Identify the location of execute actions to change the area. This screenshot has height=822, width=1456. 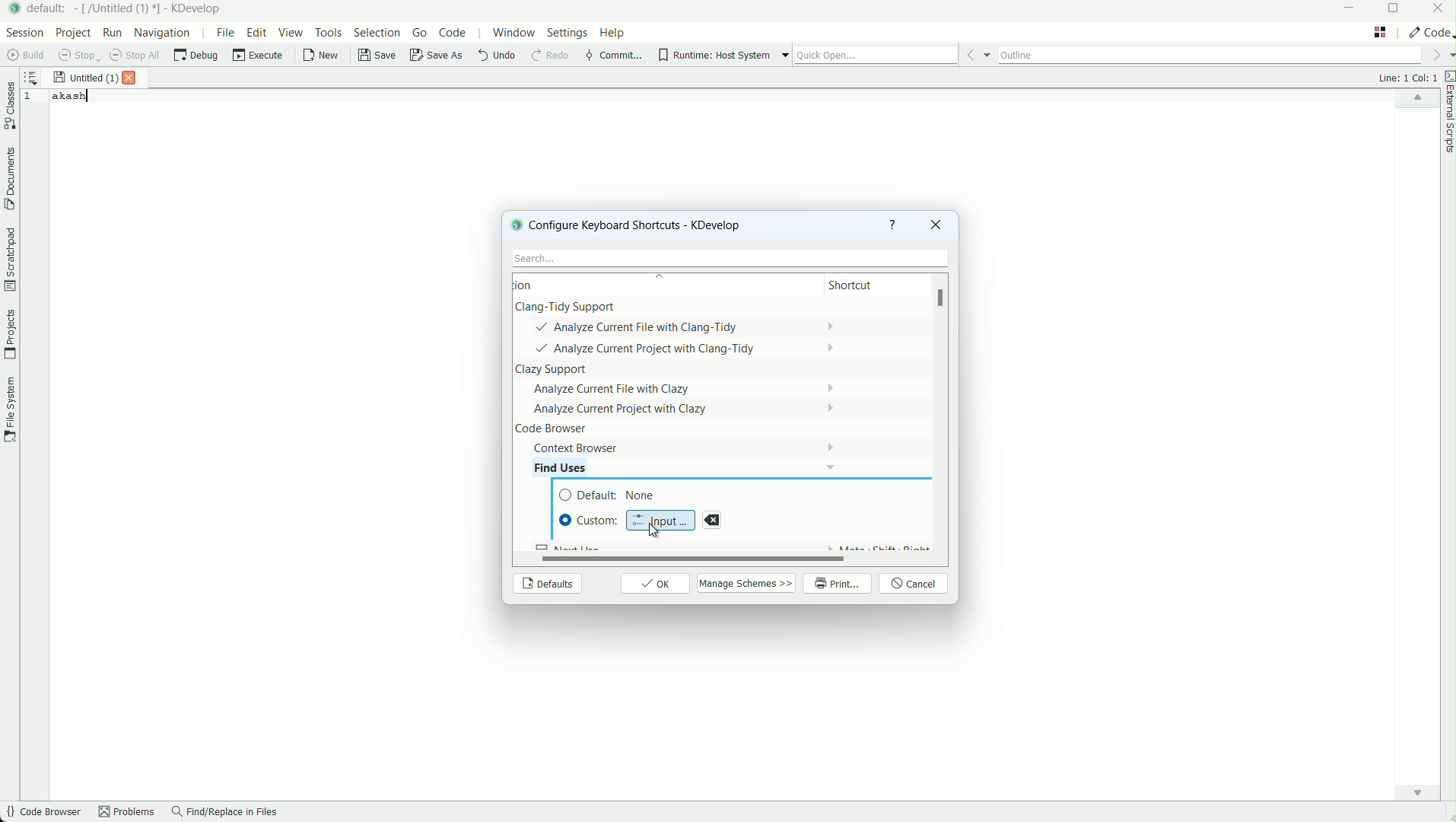
(1429, 32).